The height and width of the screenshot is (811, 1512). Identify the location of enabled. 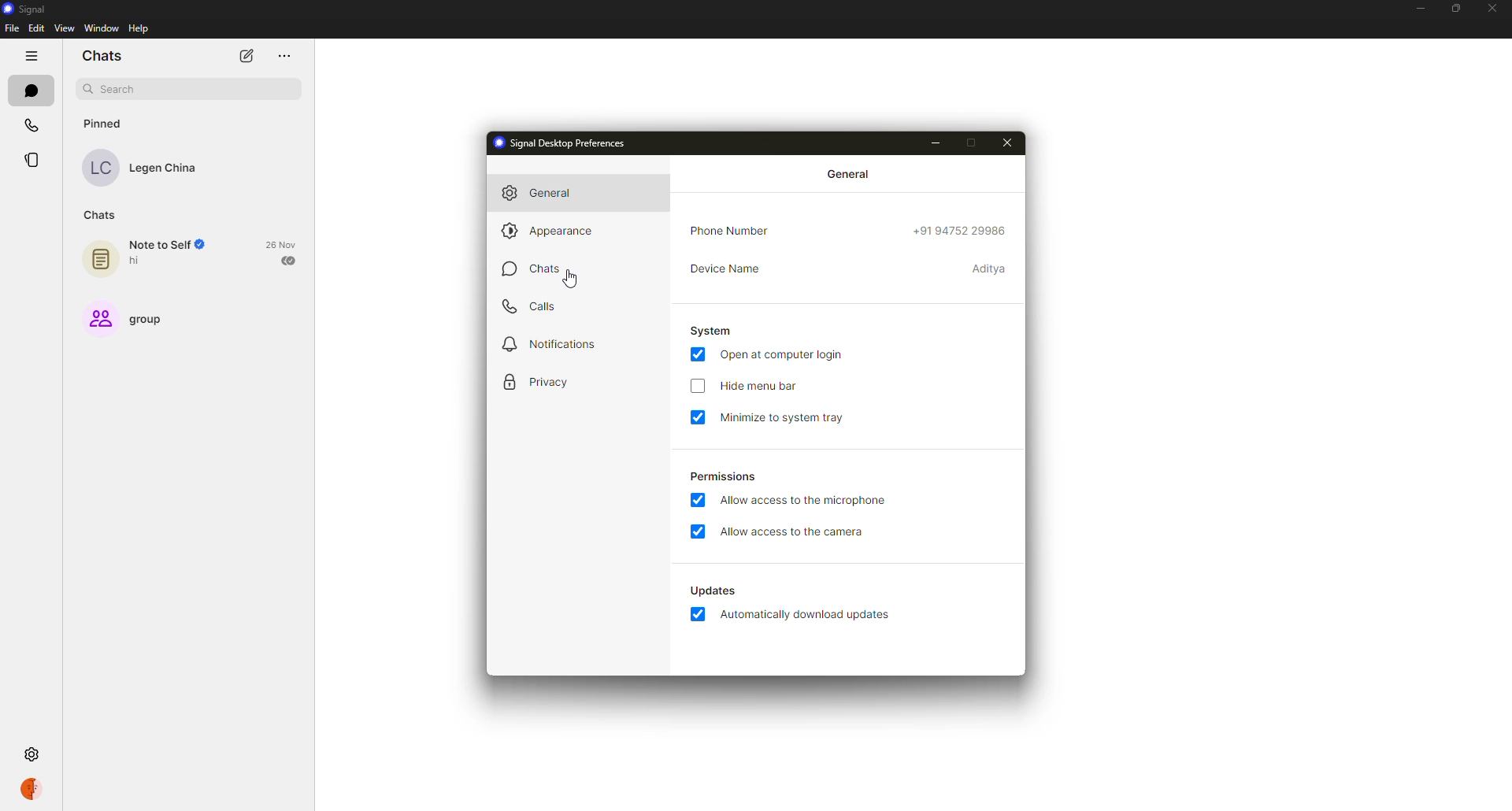
(698, 417).